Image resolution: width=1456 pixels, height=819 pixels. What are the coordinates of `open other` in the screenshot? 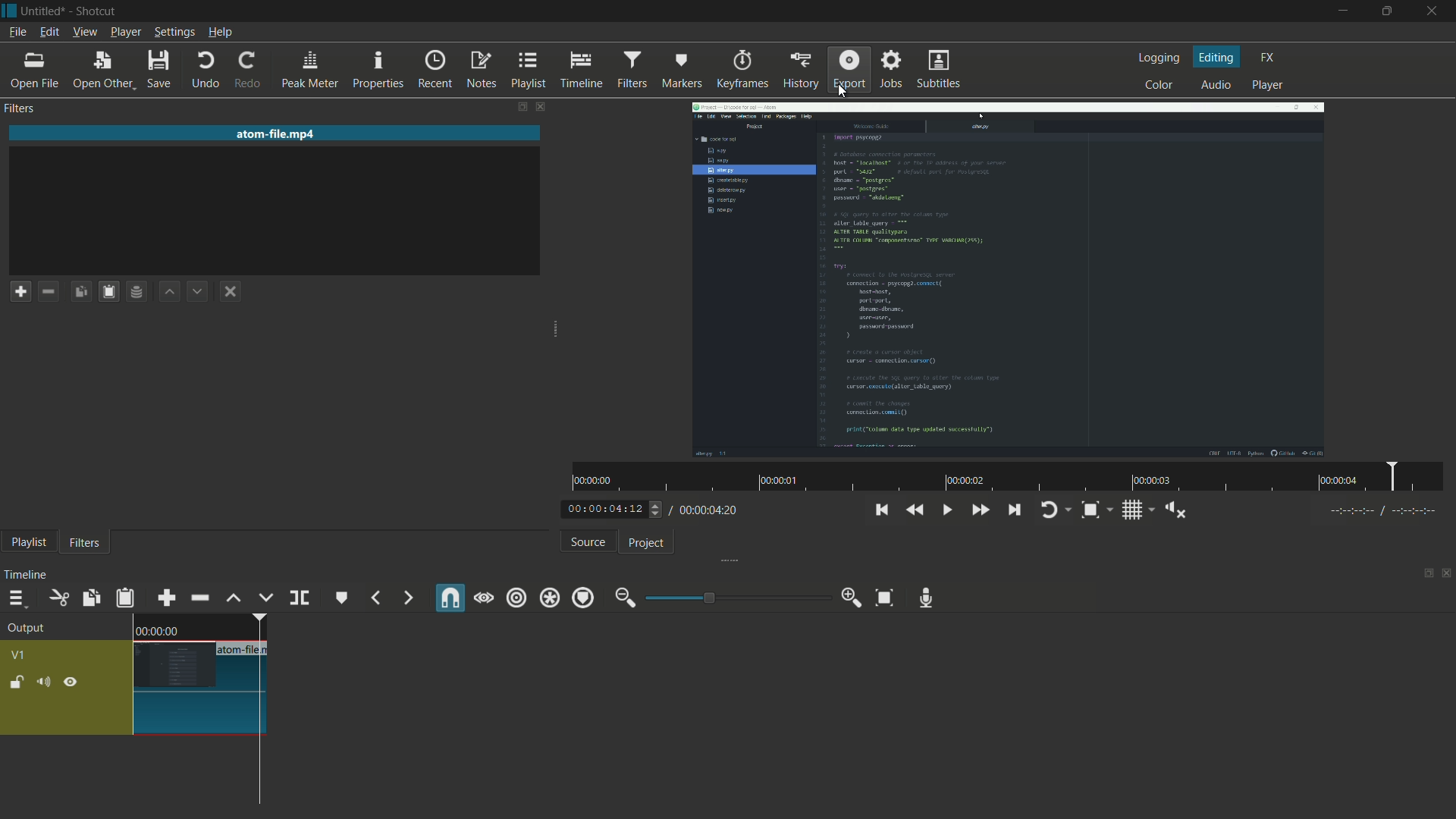 It's located at (103, 69).